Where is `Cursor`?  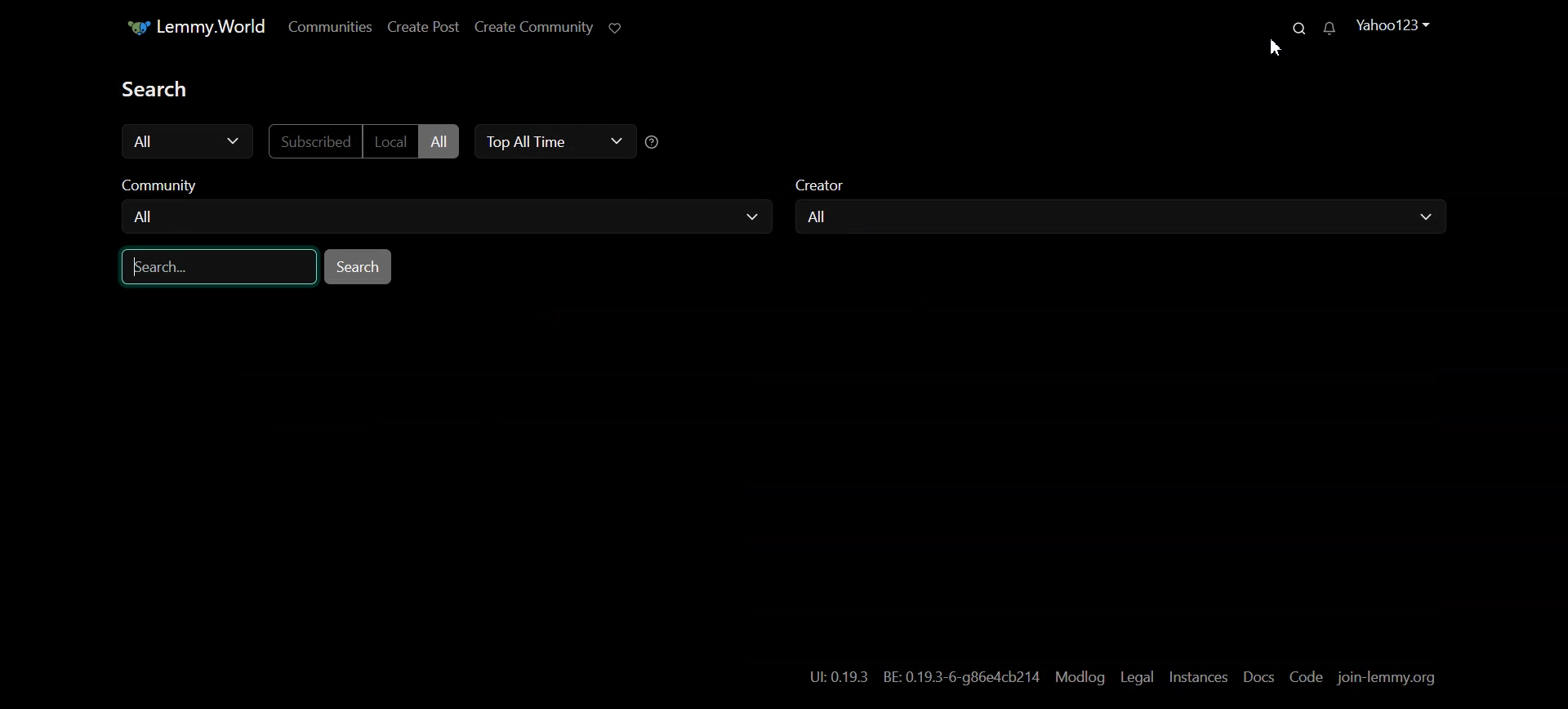
Cursor is located at coordinates (1274, 49).